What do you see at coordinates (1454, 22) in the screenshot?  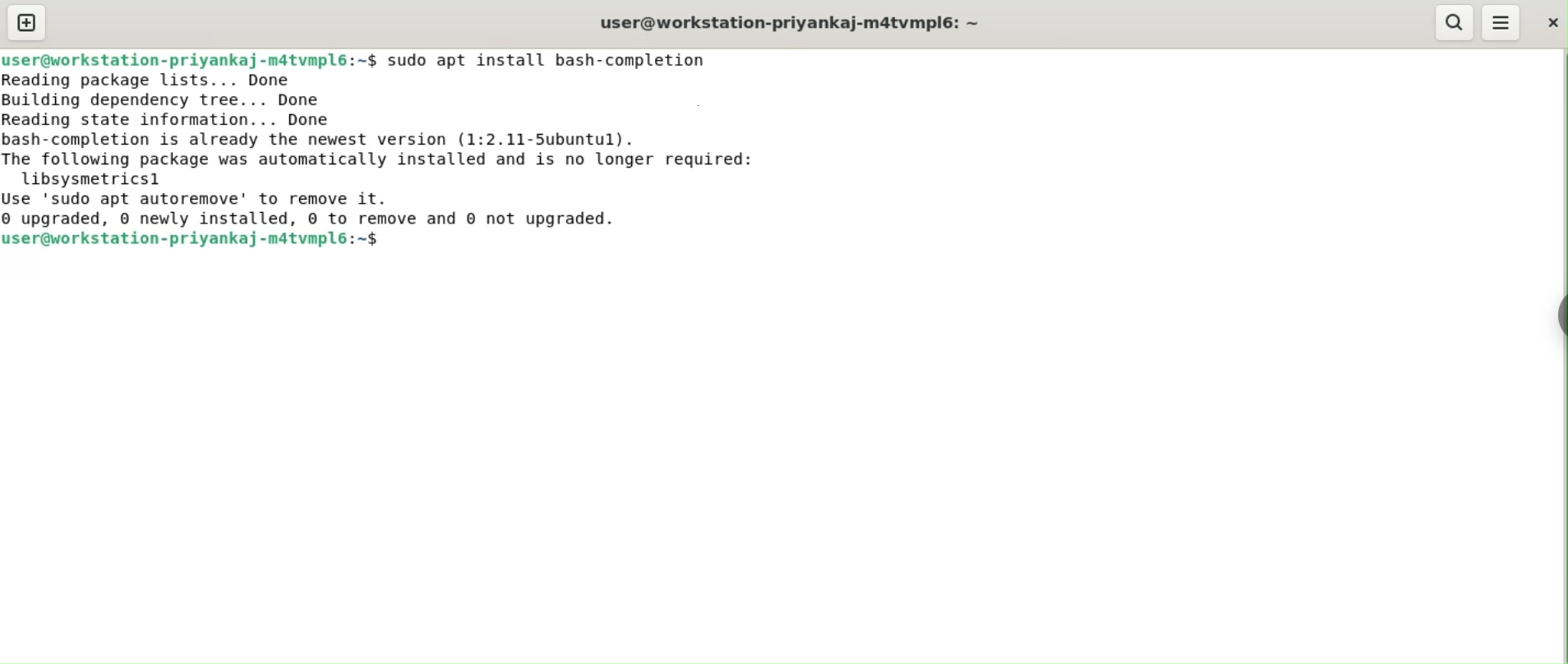 I see `search` at bounding box center [1454, 22].